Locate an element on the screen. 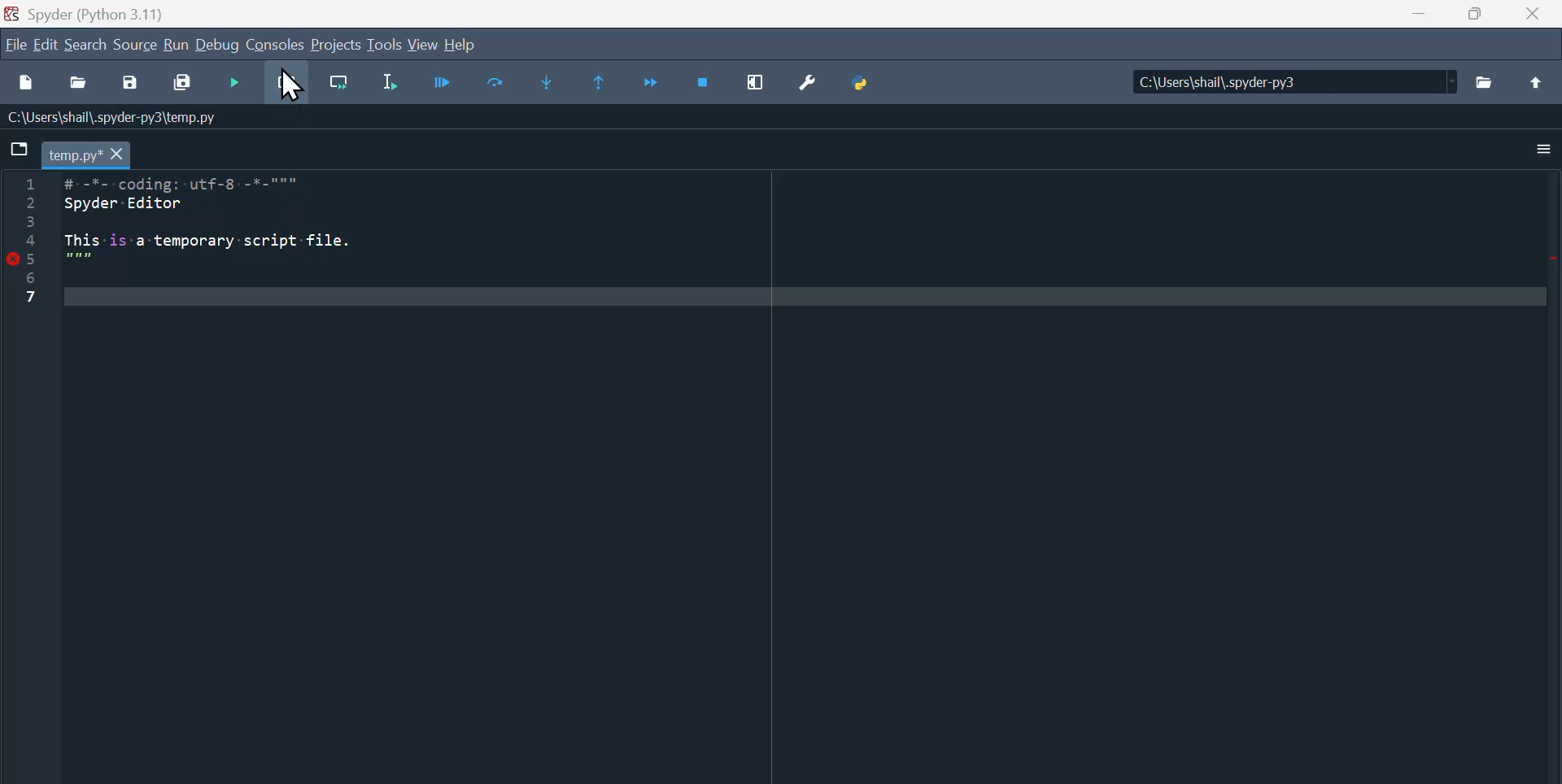 This screenshot has height=784, width=1562. Stop debugging is located at coordinates (704, 81).